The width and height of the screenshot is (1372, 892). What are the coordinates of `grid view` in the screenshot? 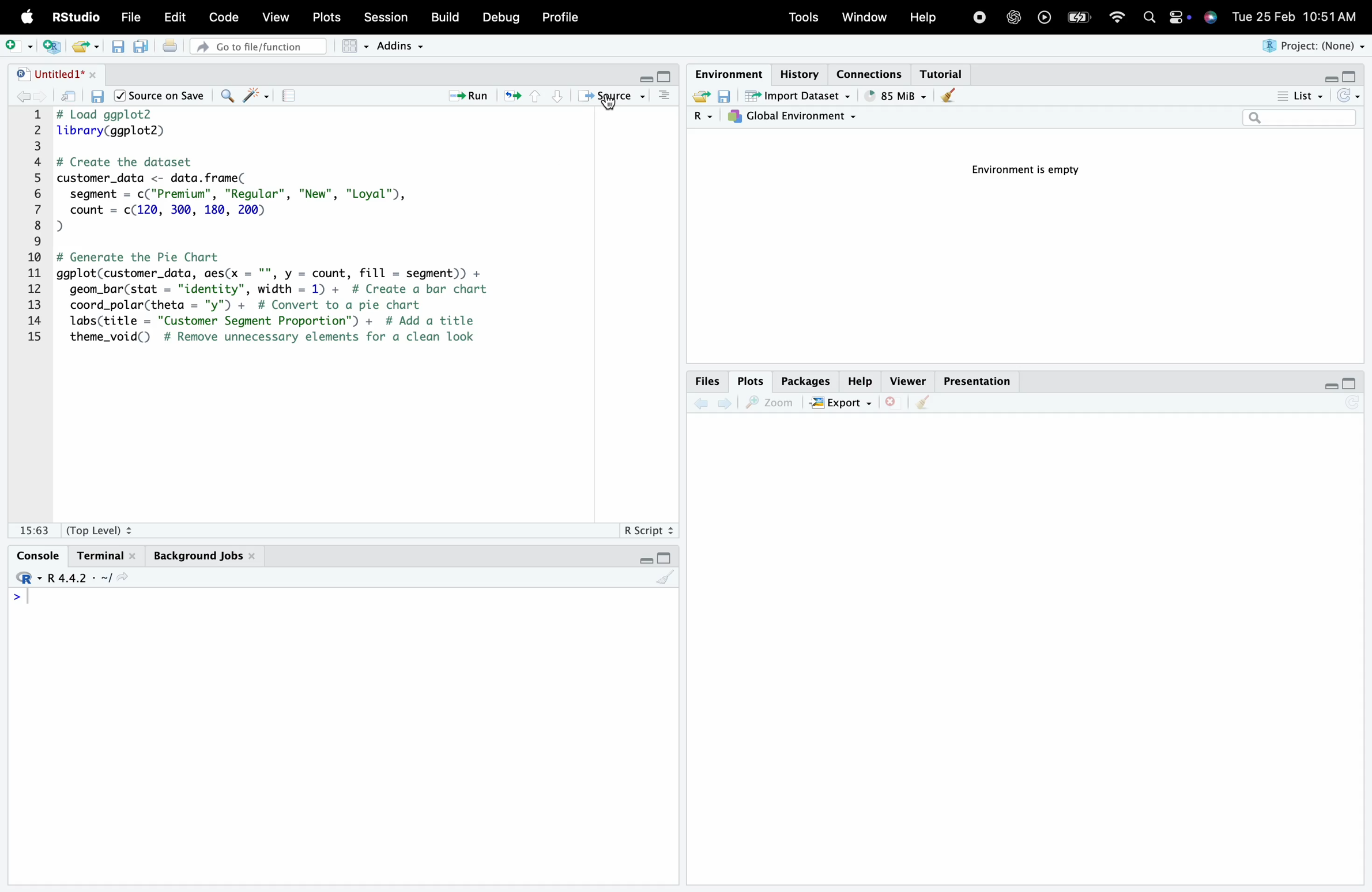 It's located at (350, 48).